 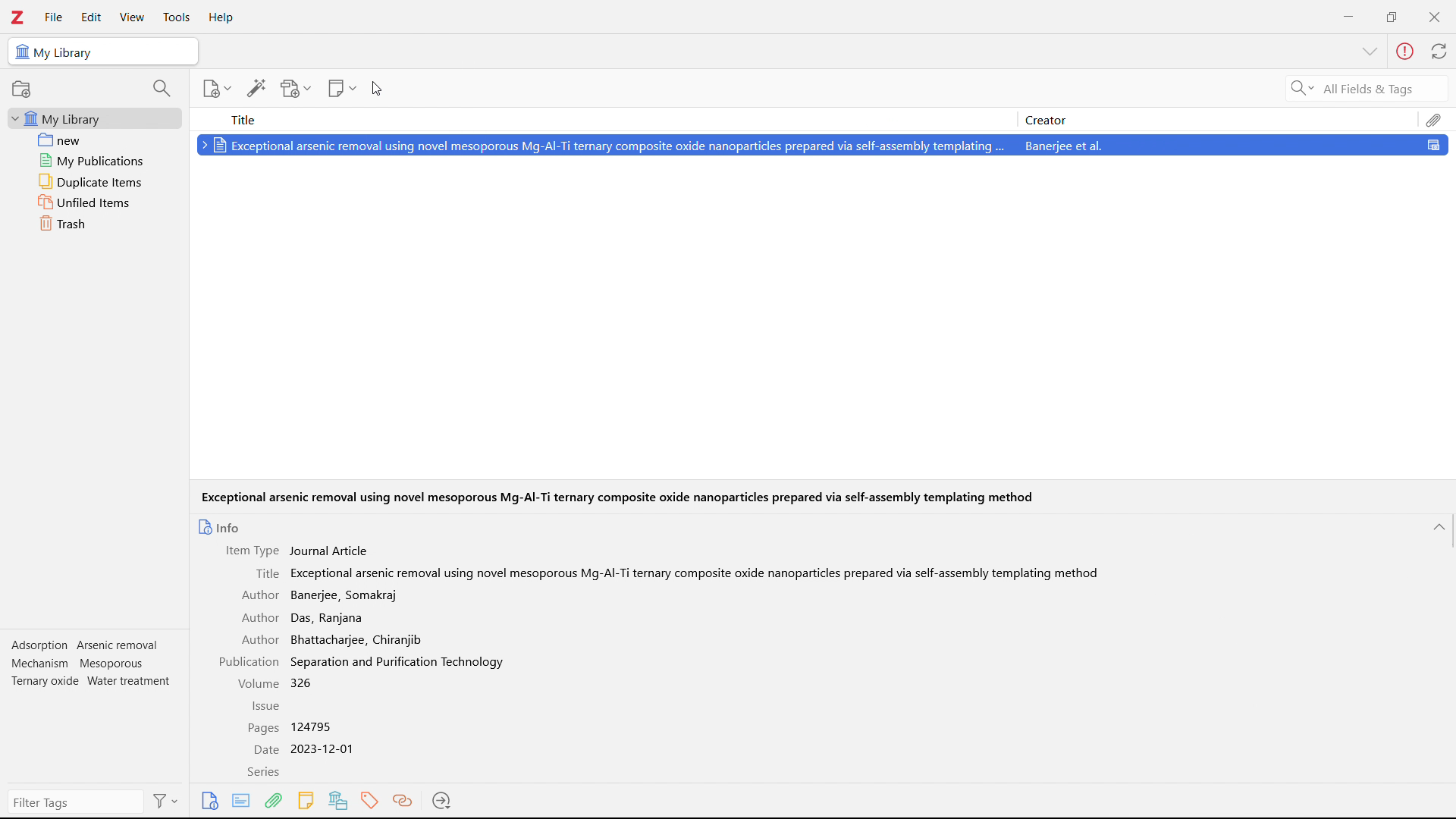 I want to click on Author, so click(x=259, y=618).